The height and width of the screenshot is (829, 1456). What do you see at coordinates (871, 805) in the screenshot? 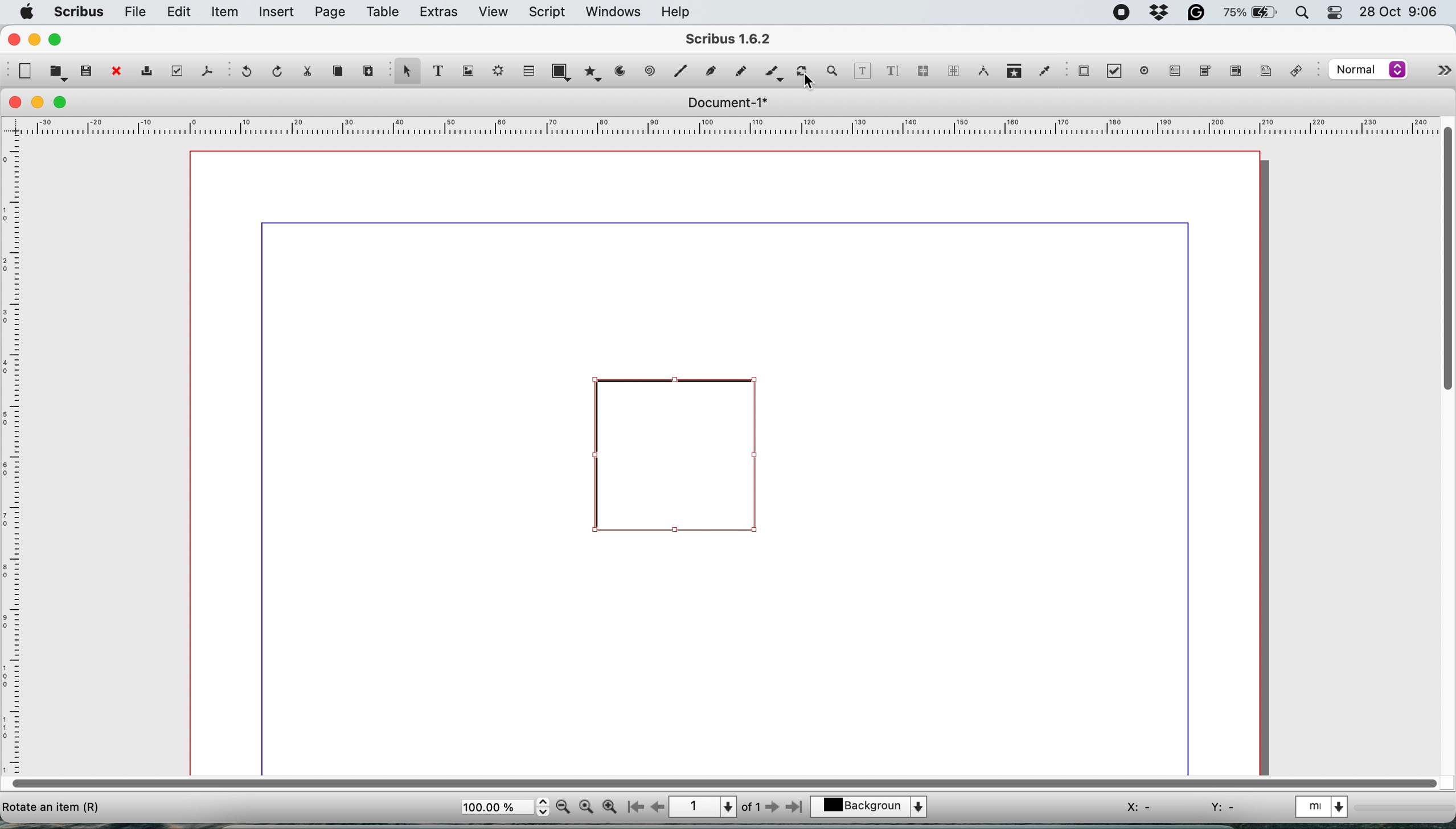
I see `select the current layer` at bounding box center [871, 805].